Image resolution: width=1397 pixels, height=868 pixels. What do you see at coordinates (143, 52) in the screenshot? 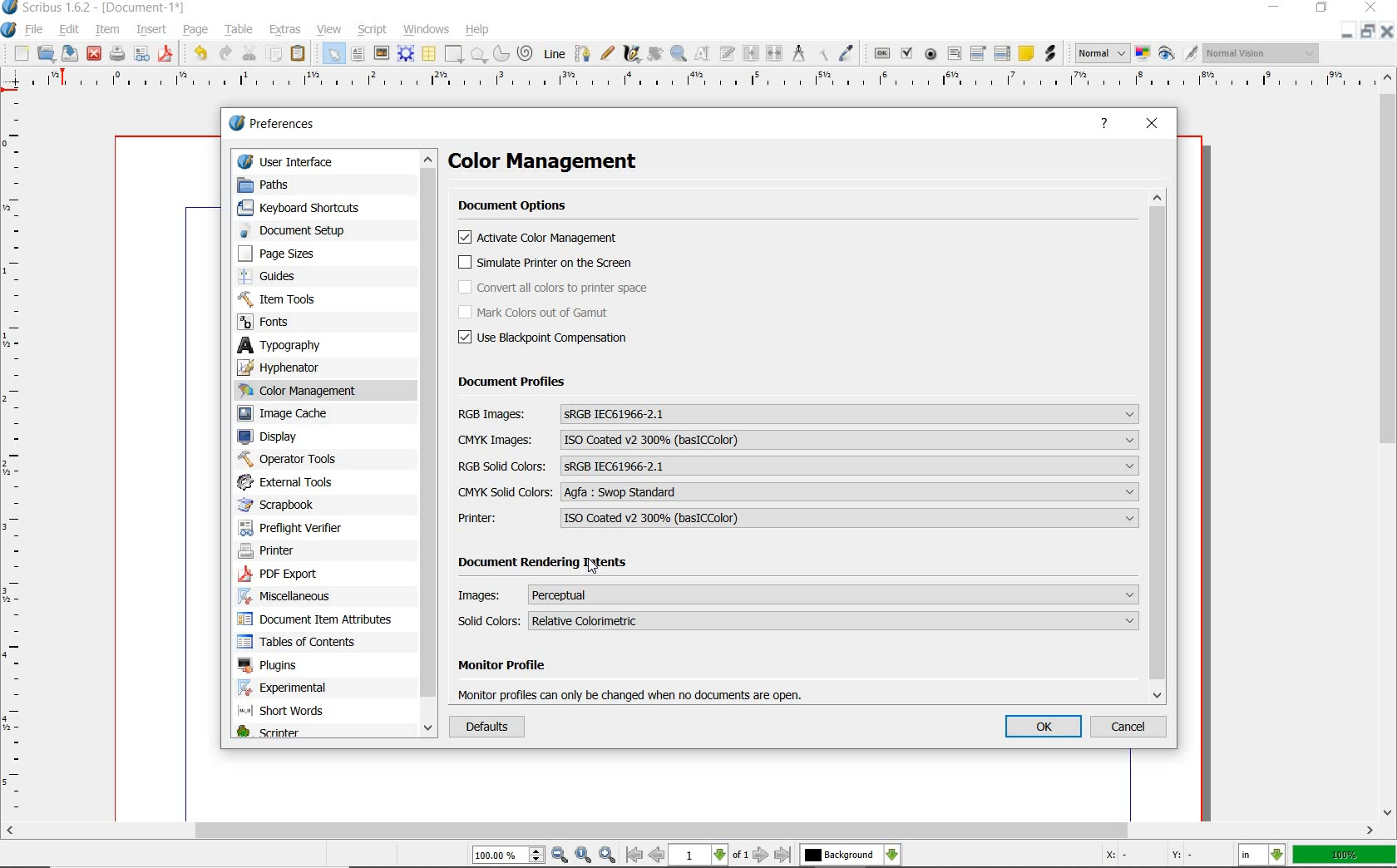
I see `preflight verifier` at bounding box center [143, 52].